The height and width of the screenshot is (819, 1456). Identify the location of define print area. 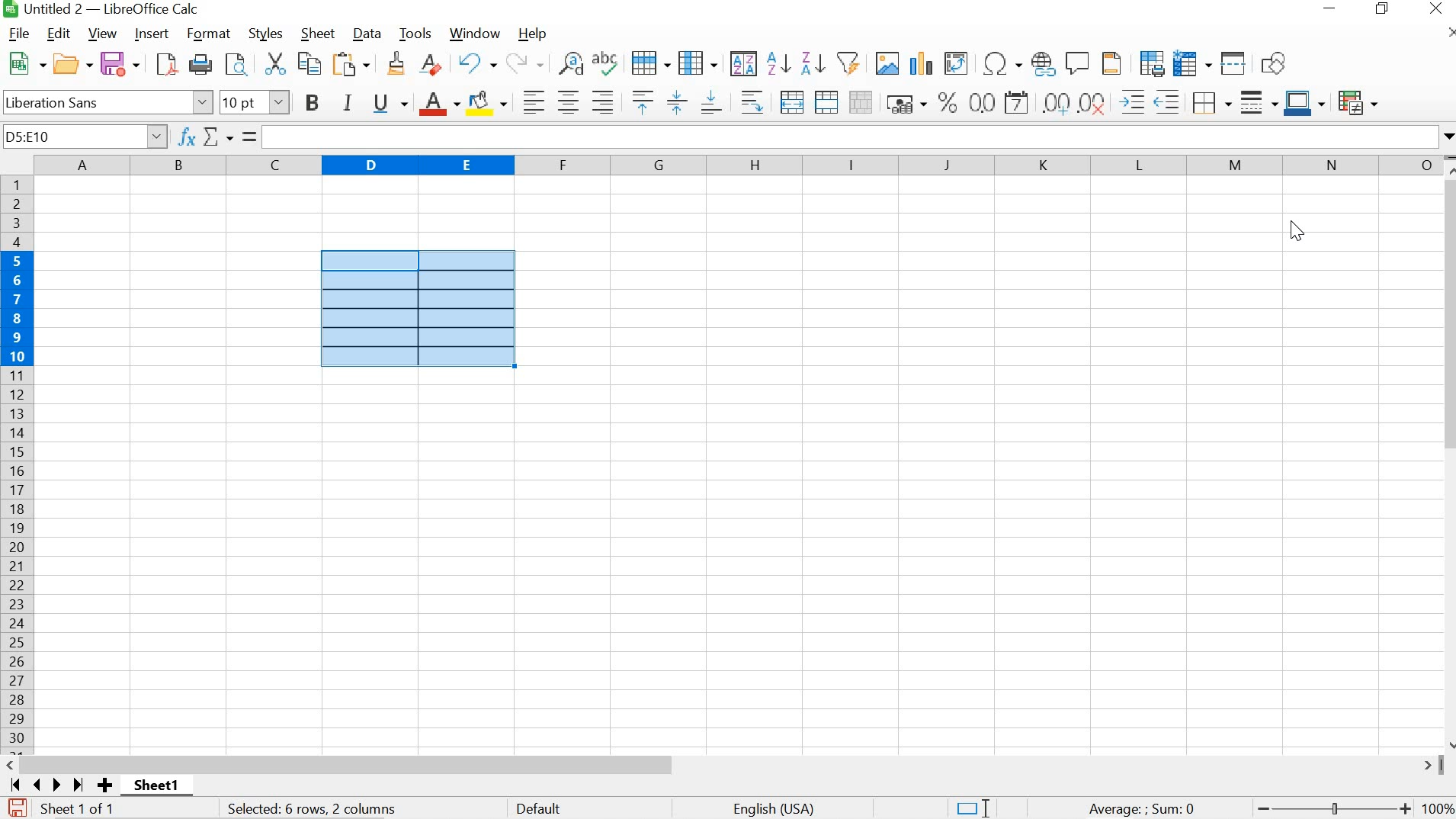
(1152, 63).